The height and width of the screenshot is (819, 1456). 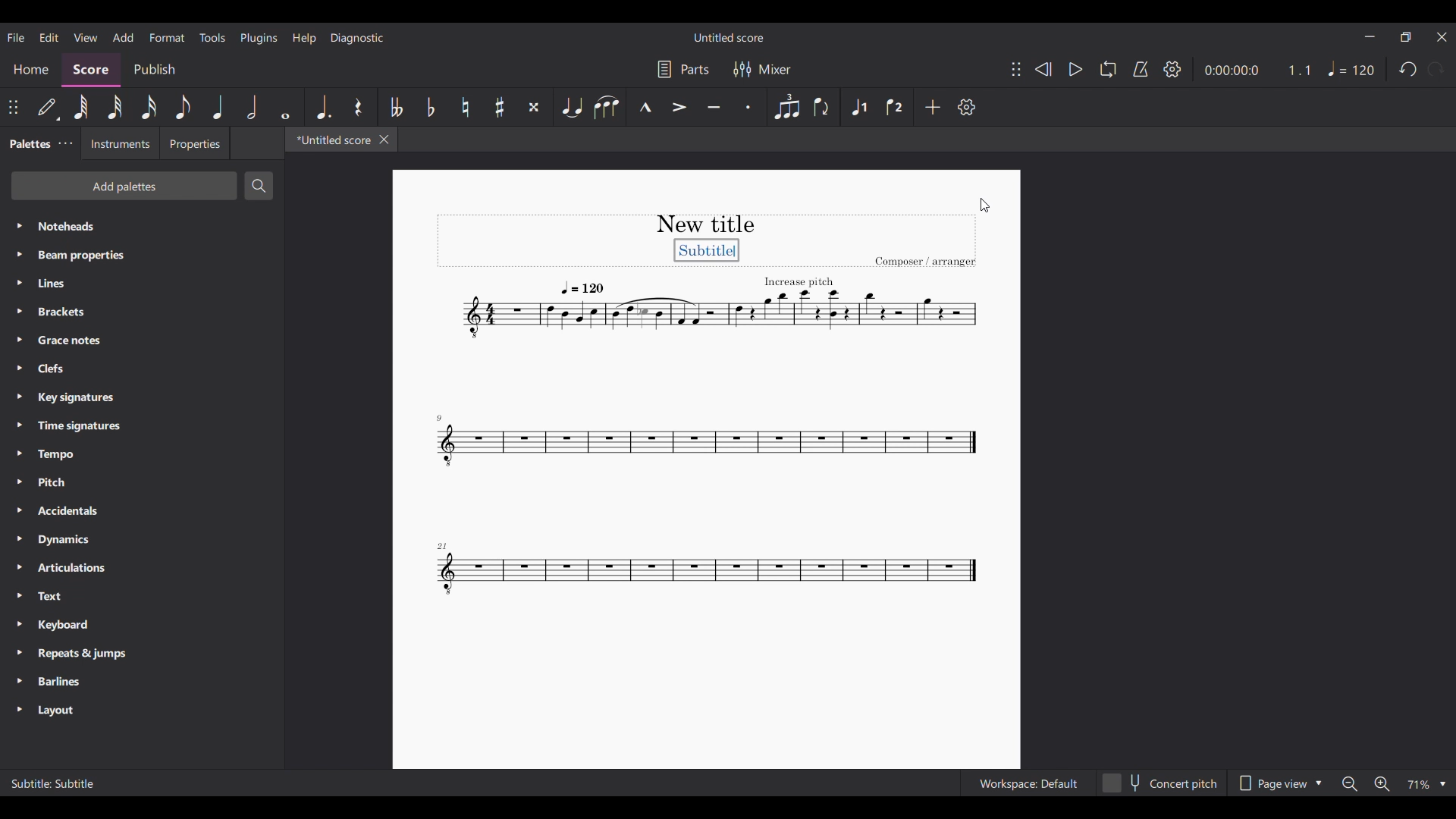 What do you see at coordinates (1349, 783) in the screenshot?
I see `Zoom out` at bounding box center [1349, 783].